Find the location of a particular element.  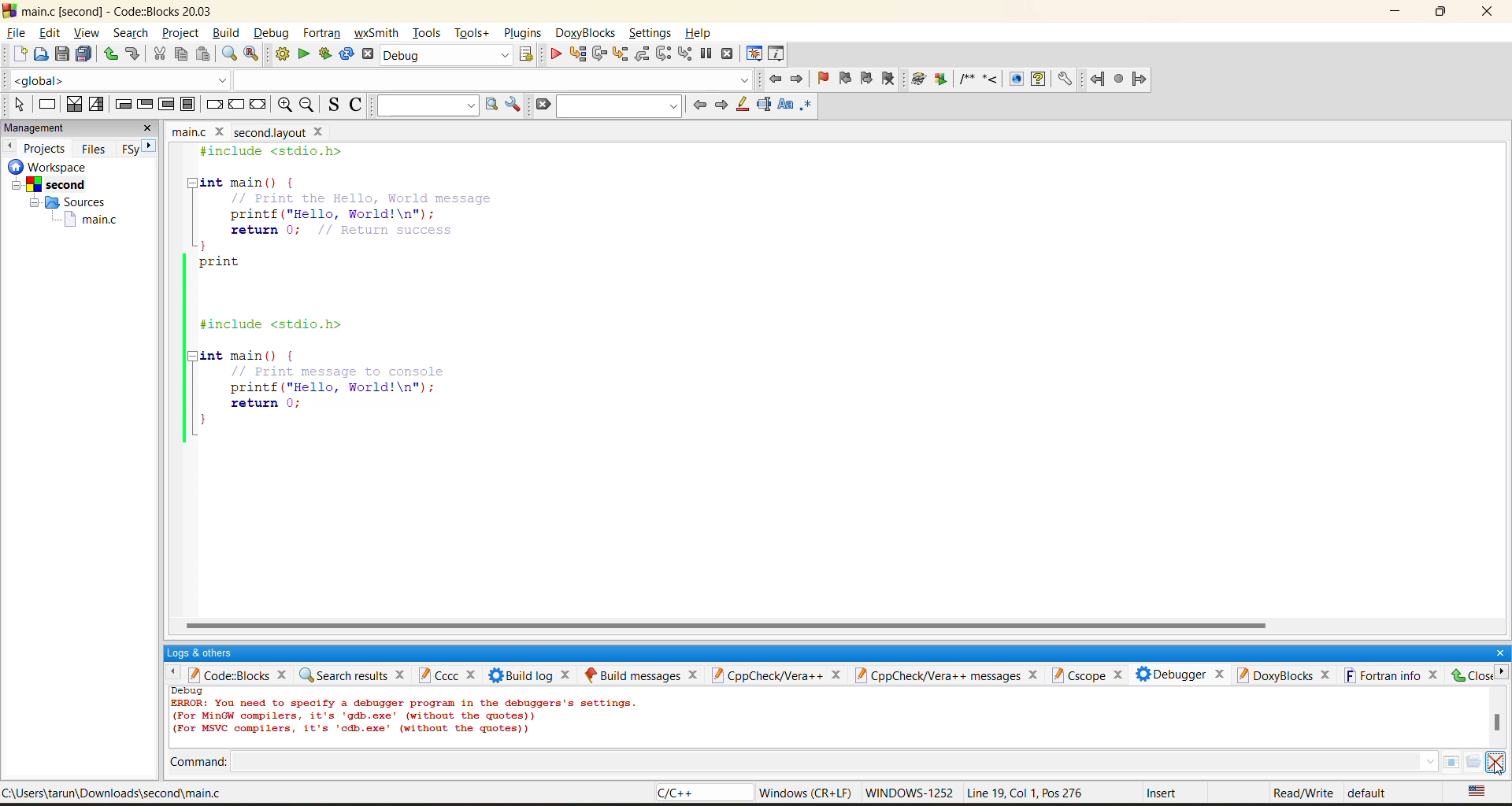

selection is located at coordinates (94, 104).